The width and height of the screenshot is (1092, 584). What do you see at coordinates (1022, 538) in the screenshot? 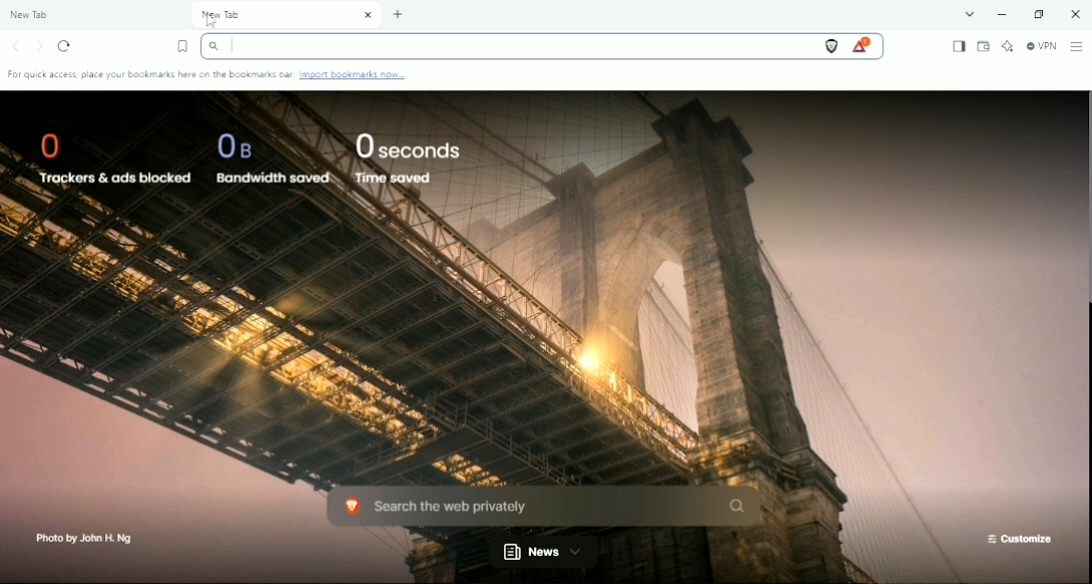
I see `Customize` at bounding box center [1022, 538].